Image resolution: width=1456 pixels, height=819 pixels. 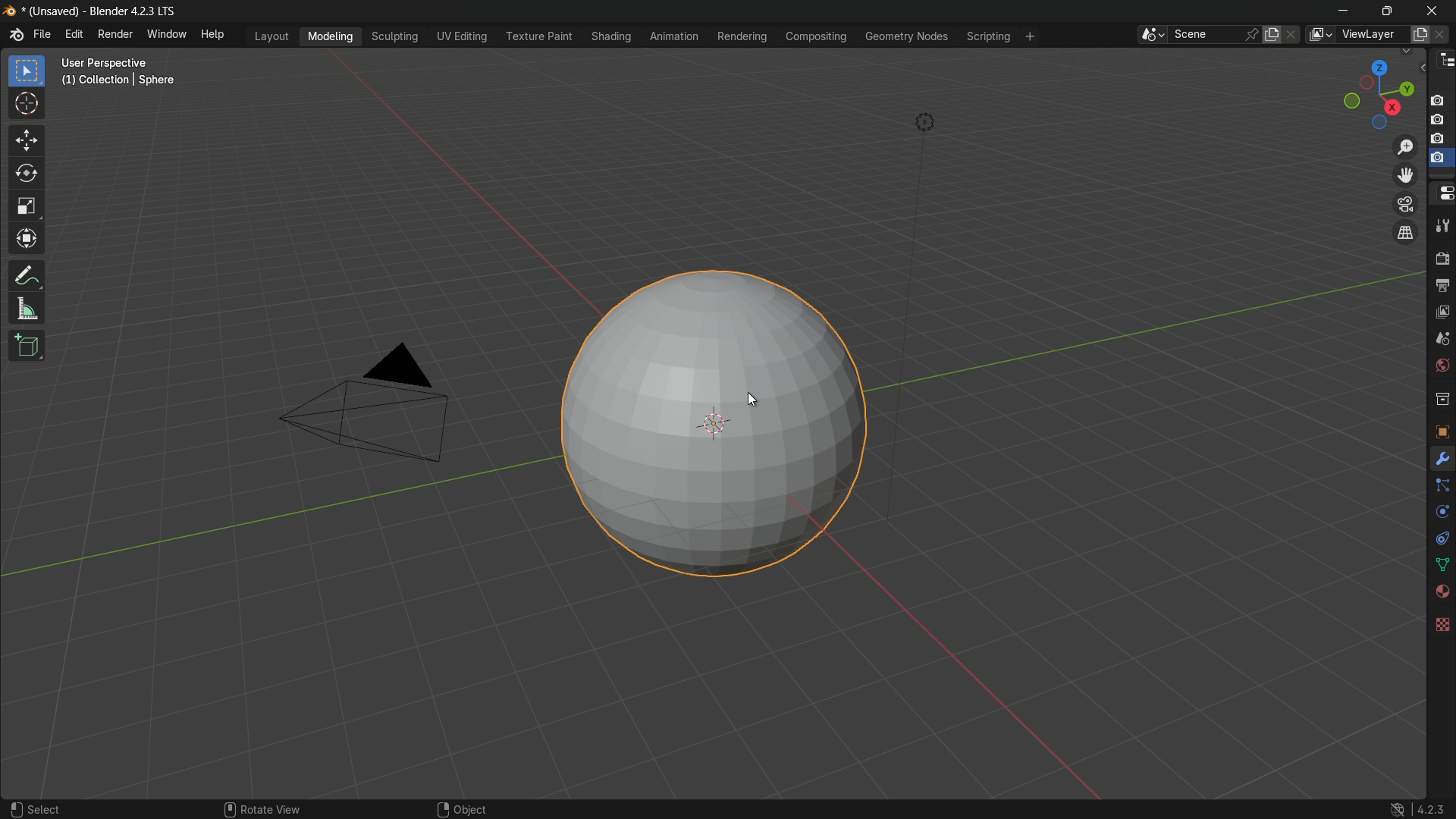 What do you see at coordinates (331, 37) in the screenshot?
I see `modeling menu` at bounding box center [331, 37].